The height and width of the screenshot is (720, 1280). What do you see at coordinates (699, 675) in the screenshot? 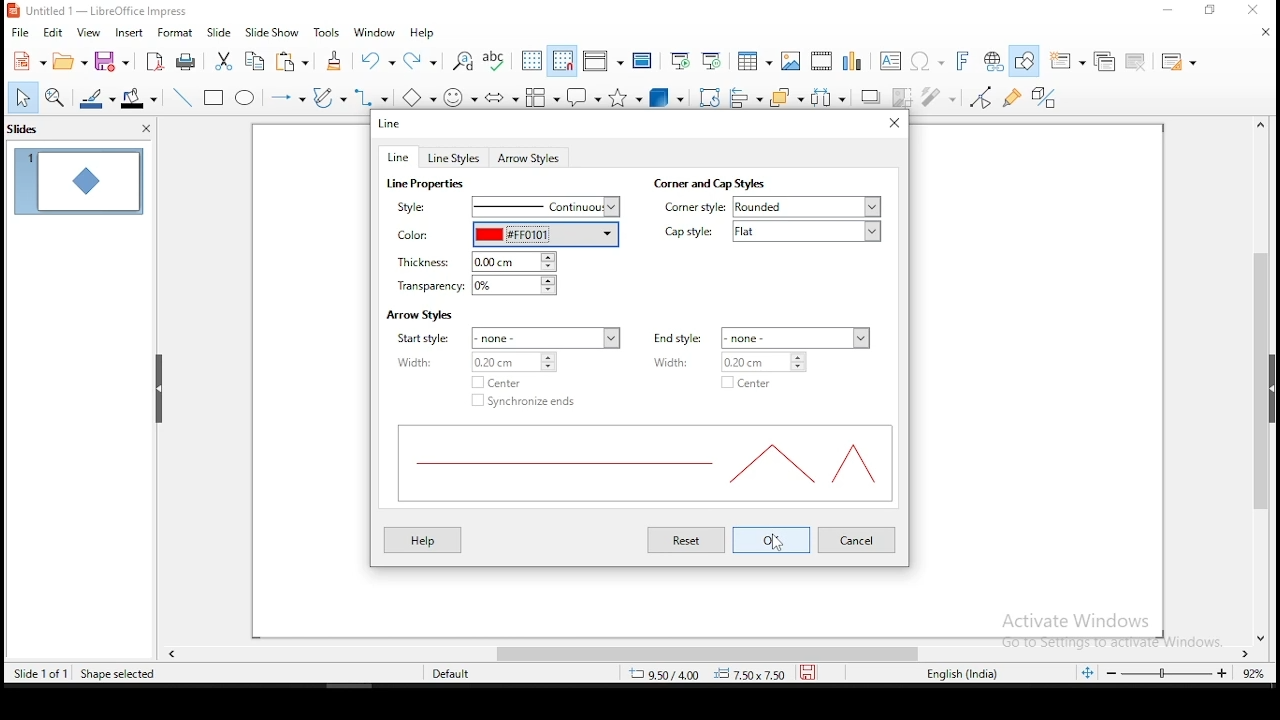
I see `9.50/4.00 7.50x7.50` at bounding box center [699, 675].